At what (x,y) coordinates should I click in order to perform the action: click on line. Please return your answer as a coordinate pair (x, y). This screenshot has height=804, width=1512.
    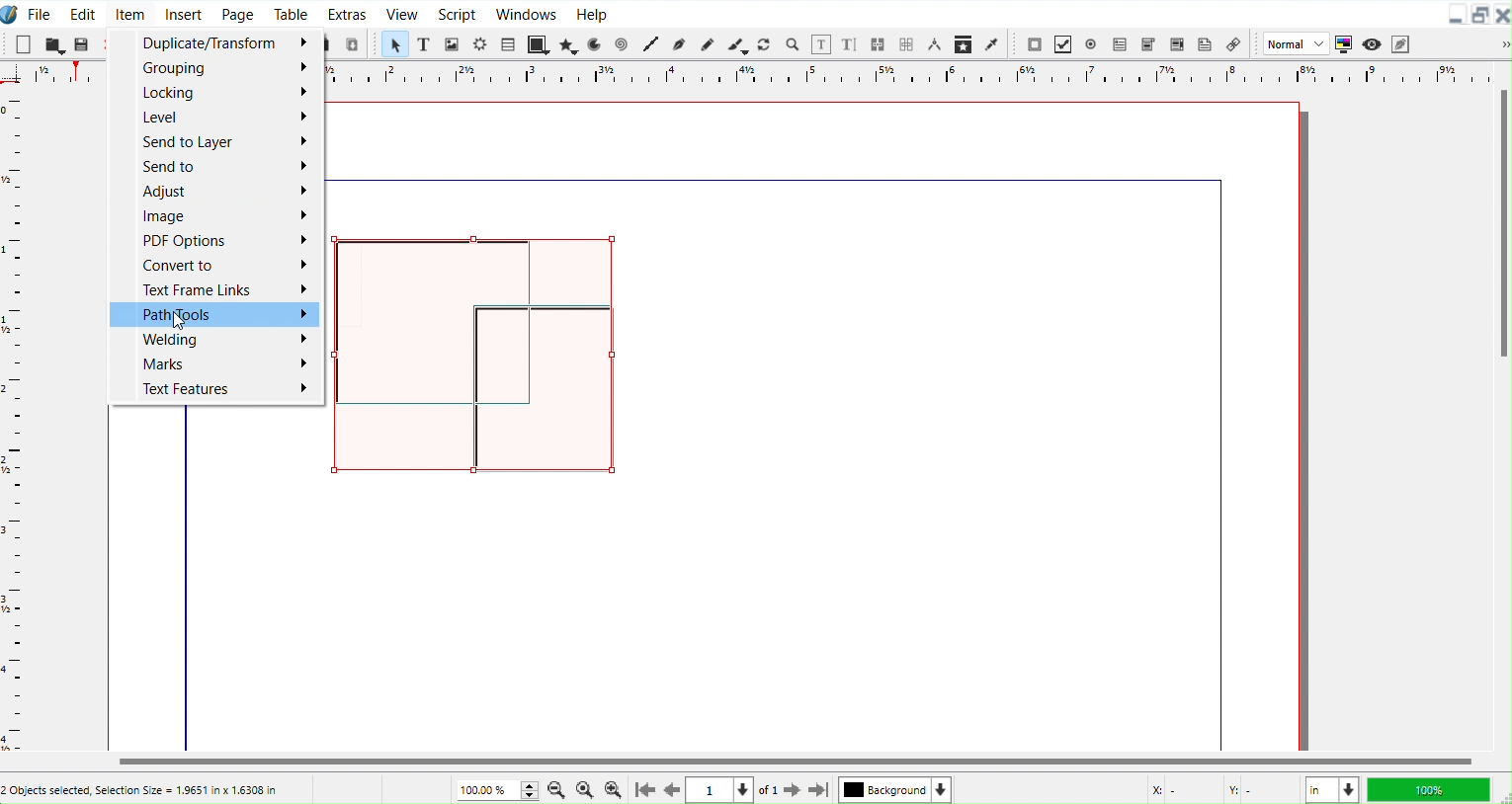
    Looking at the image, I should click on (1220, 471).